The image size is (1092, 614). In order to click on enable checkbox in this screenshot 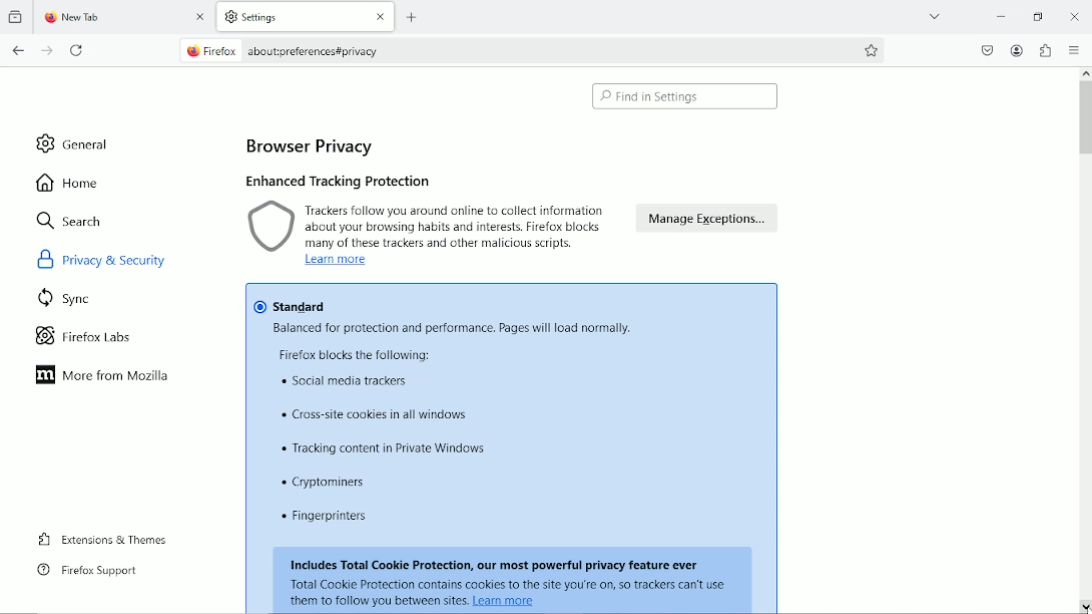, I will do `click(257, 307)`.